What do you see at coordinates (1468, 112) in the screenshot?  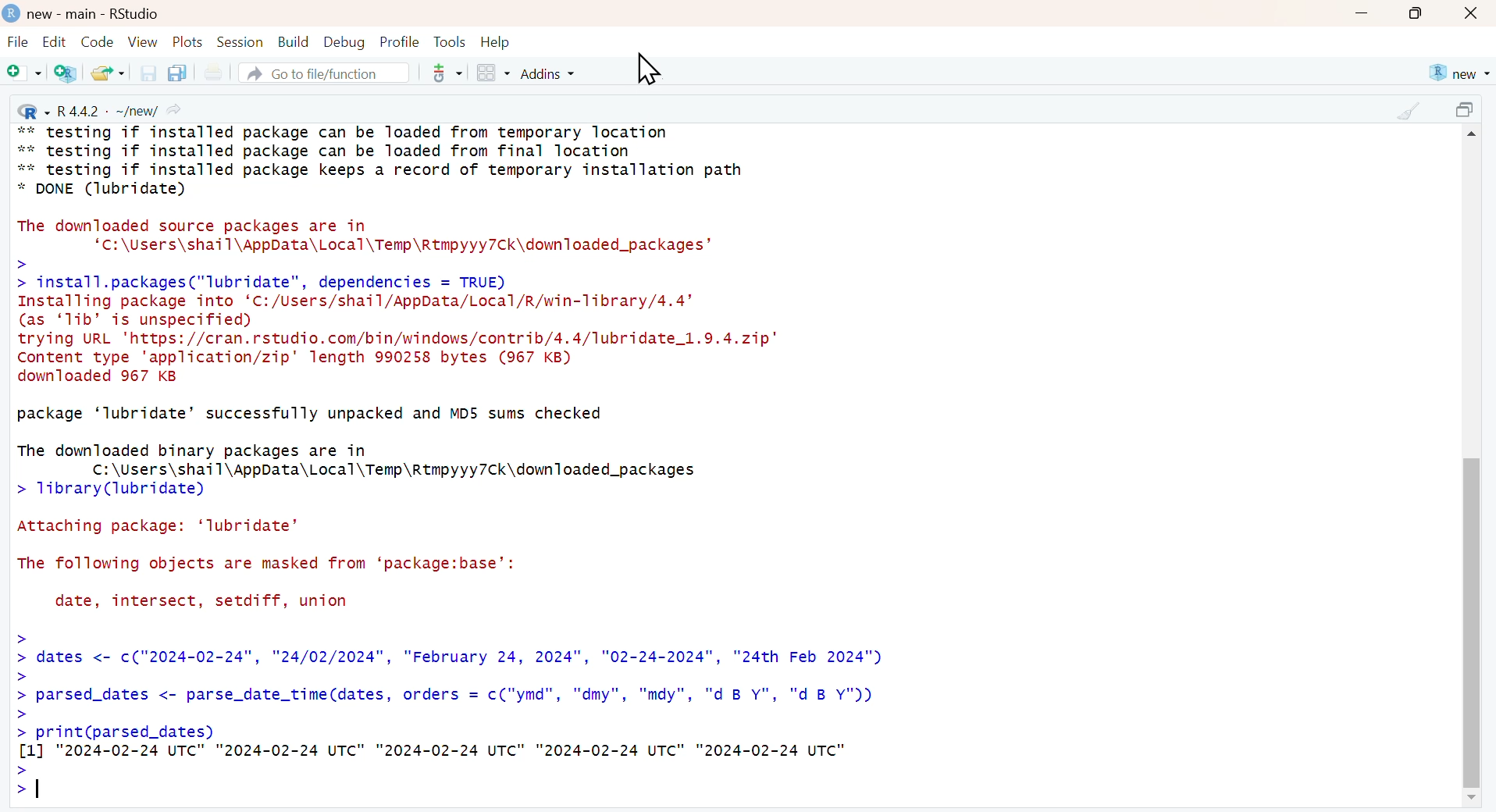 I see `maximize` at bounding box center [1468, 112].